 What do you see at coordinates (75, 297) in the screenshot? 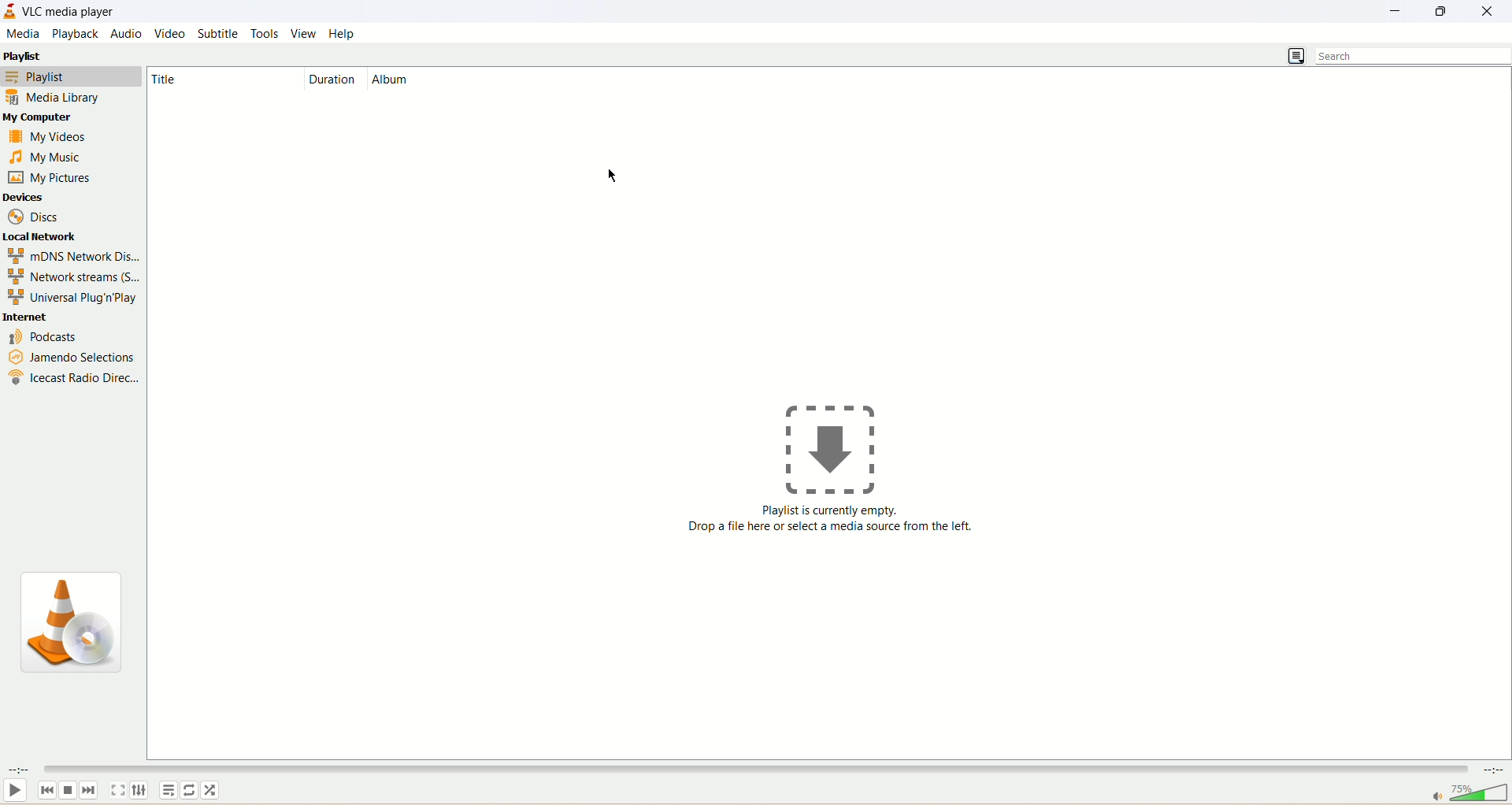
I see `universal plug'n play` at bounding box center [75, 297].